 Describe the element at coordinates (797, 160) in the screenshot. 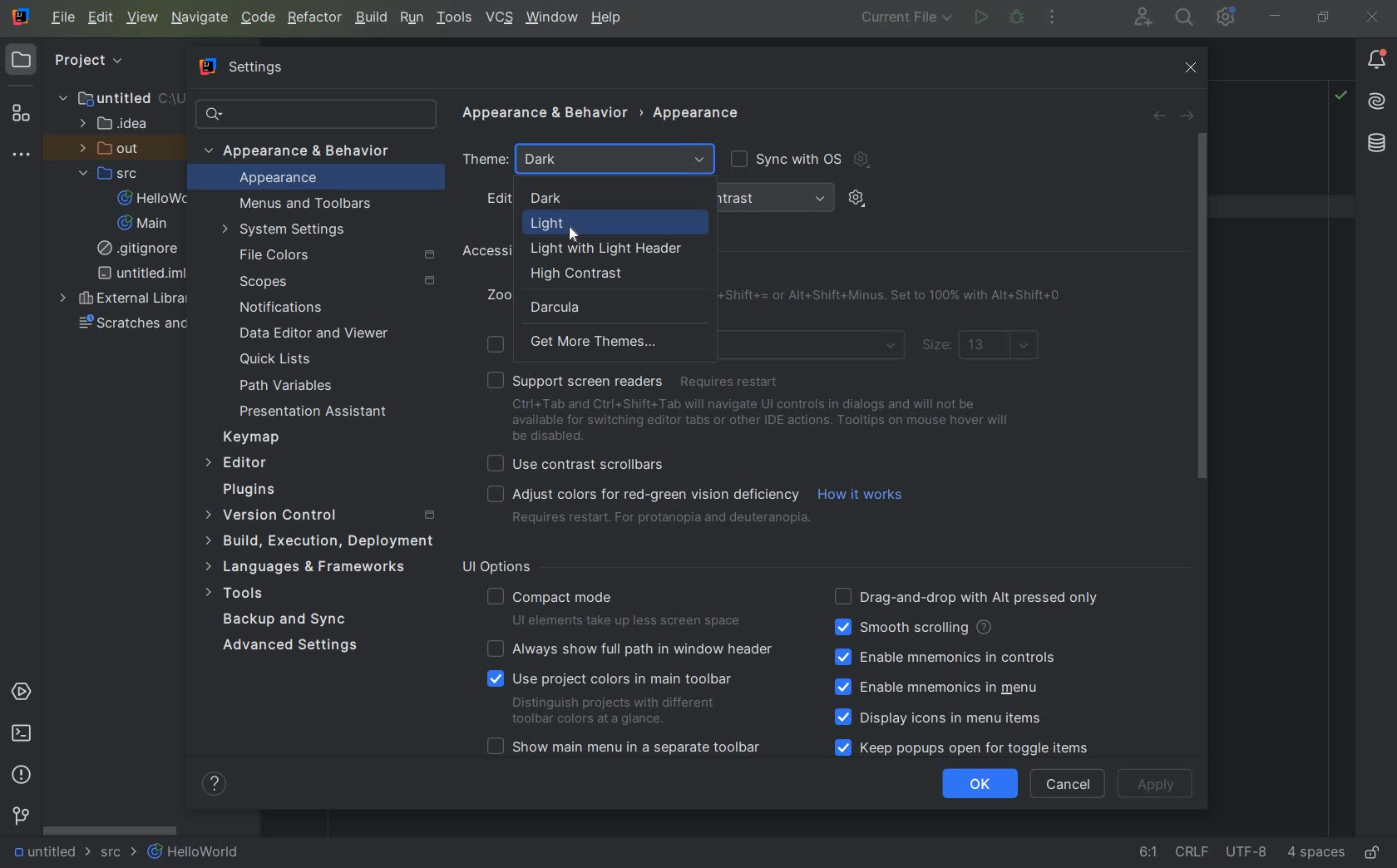

I see `Sync with OS` at that location.